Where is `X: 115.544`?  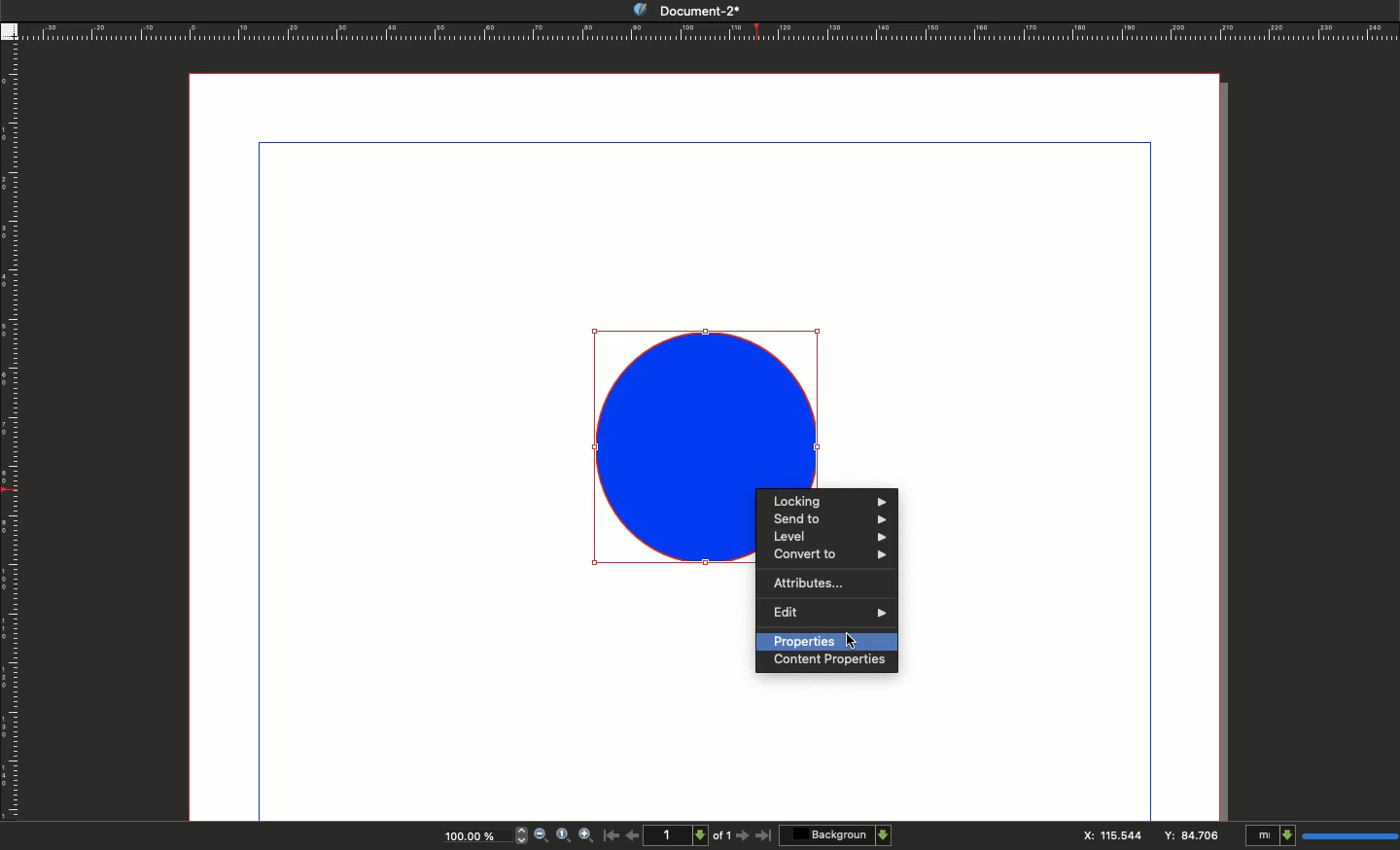
X: 115.544 is located at coordinates (1105, 835).